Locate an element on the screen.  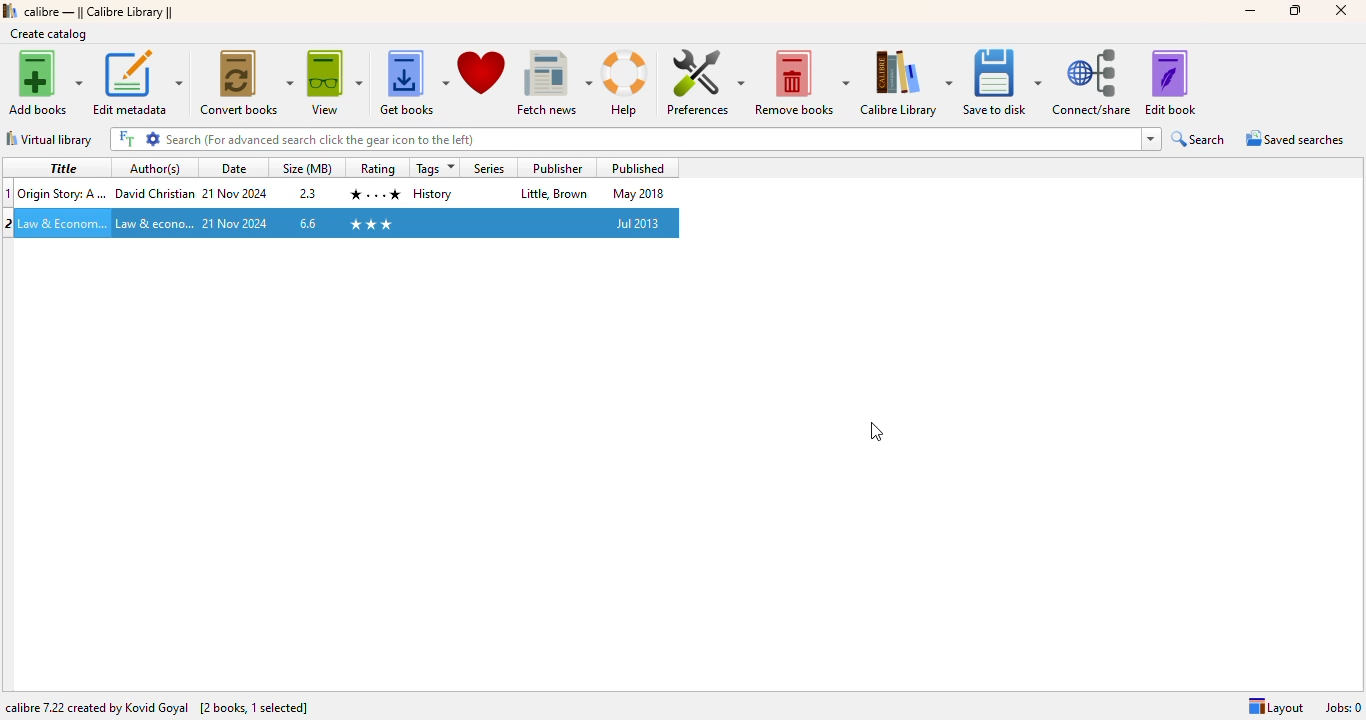
save to disk is located at coordinates (1002, 81).